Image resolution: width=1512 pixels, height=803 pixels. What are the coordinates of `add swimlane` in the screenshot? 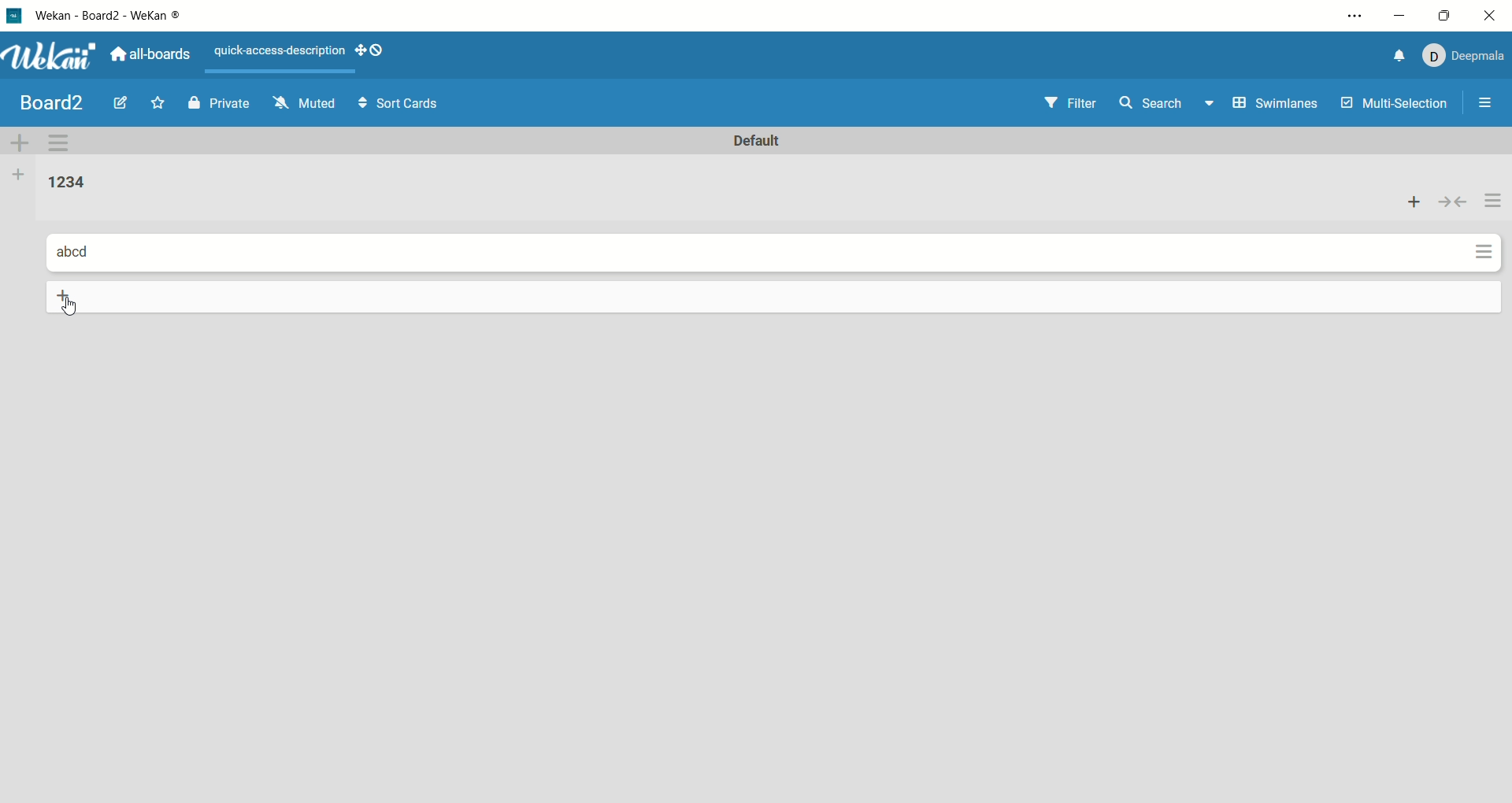 It's located at (20, 139).